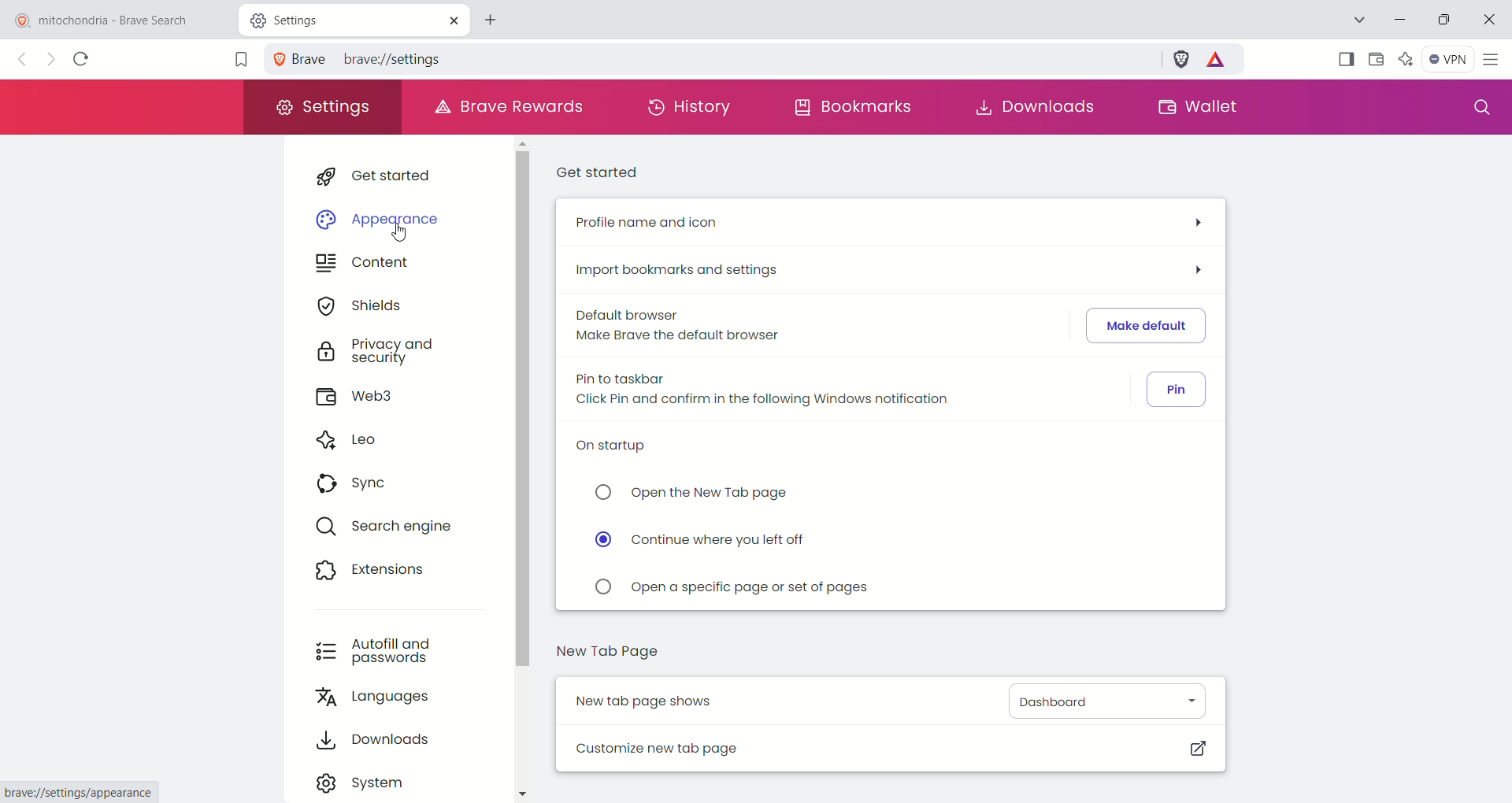  I want to click on autofill and passwords, so click(371, 649).